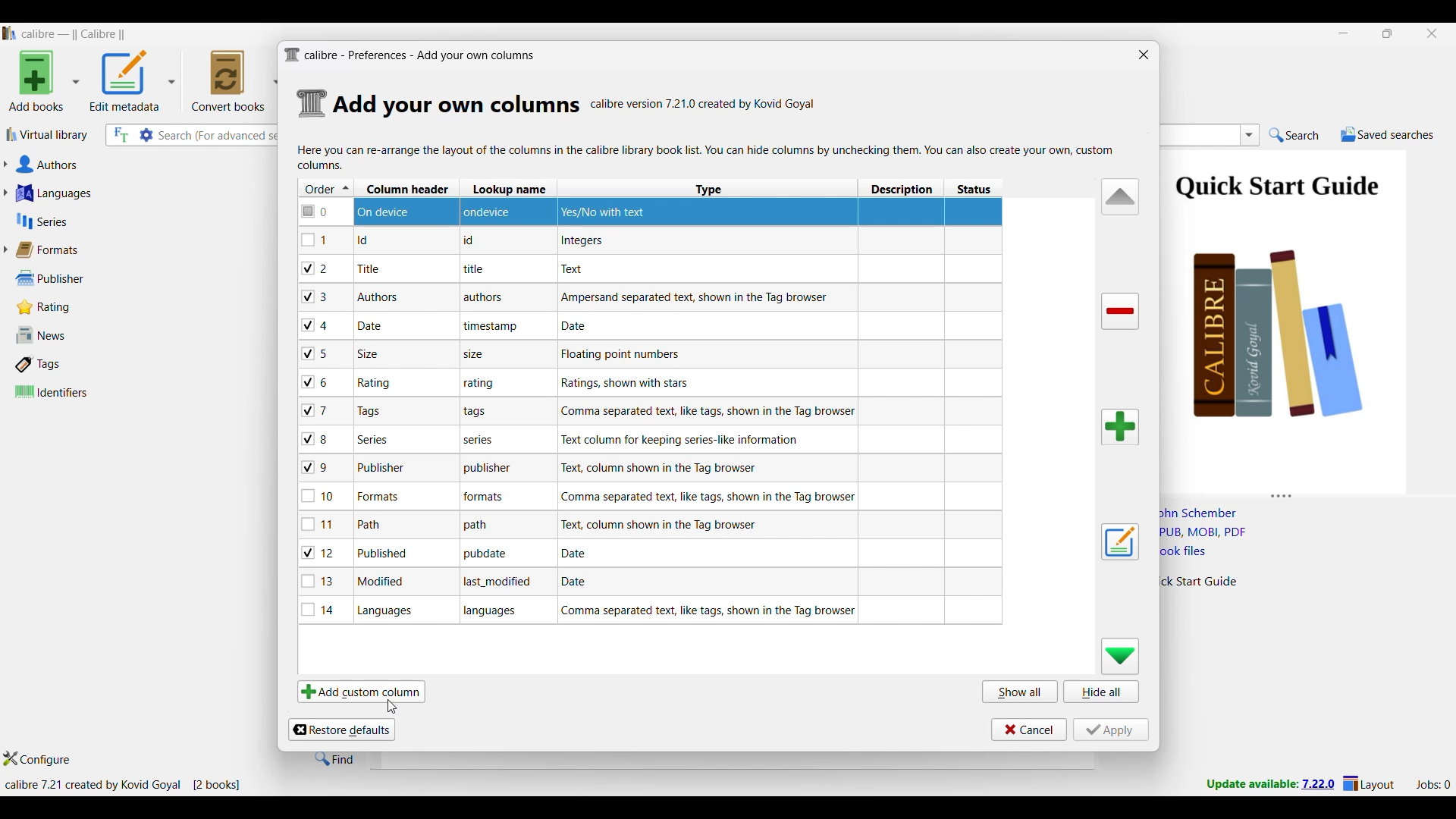 The image size is (1456, 819). Describe the element at coordinates (74, 391) in the screenshot. I see `Identifiers` at that location.